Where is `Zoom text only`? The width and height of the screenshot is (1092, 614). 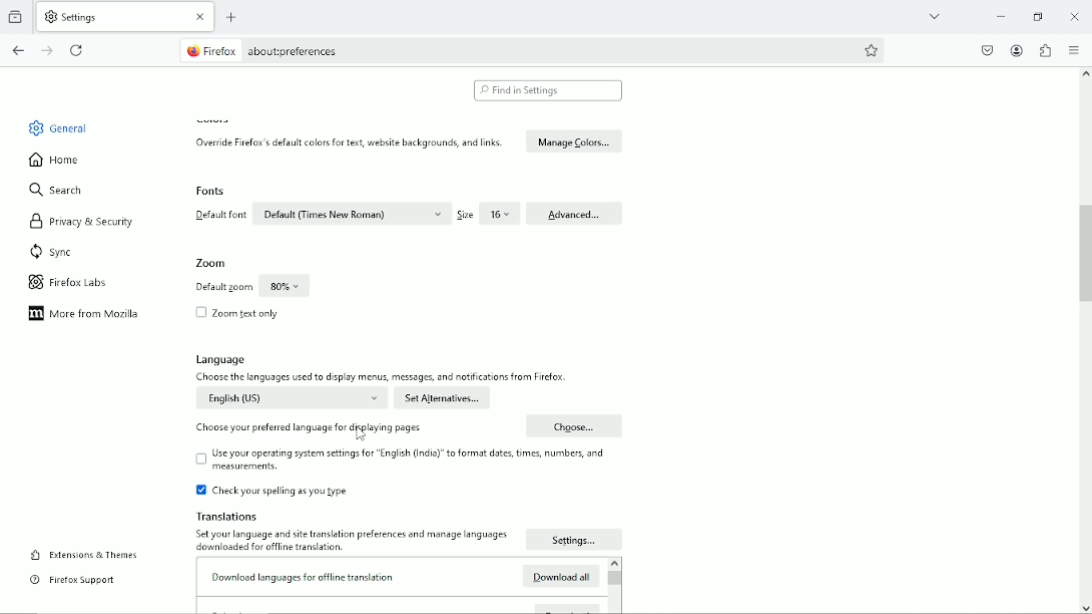 Zoom text only is located at coordinates (246, 314).